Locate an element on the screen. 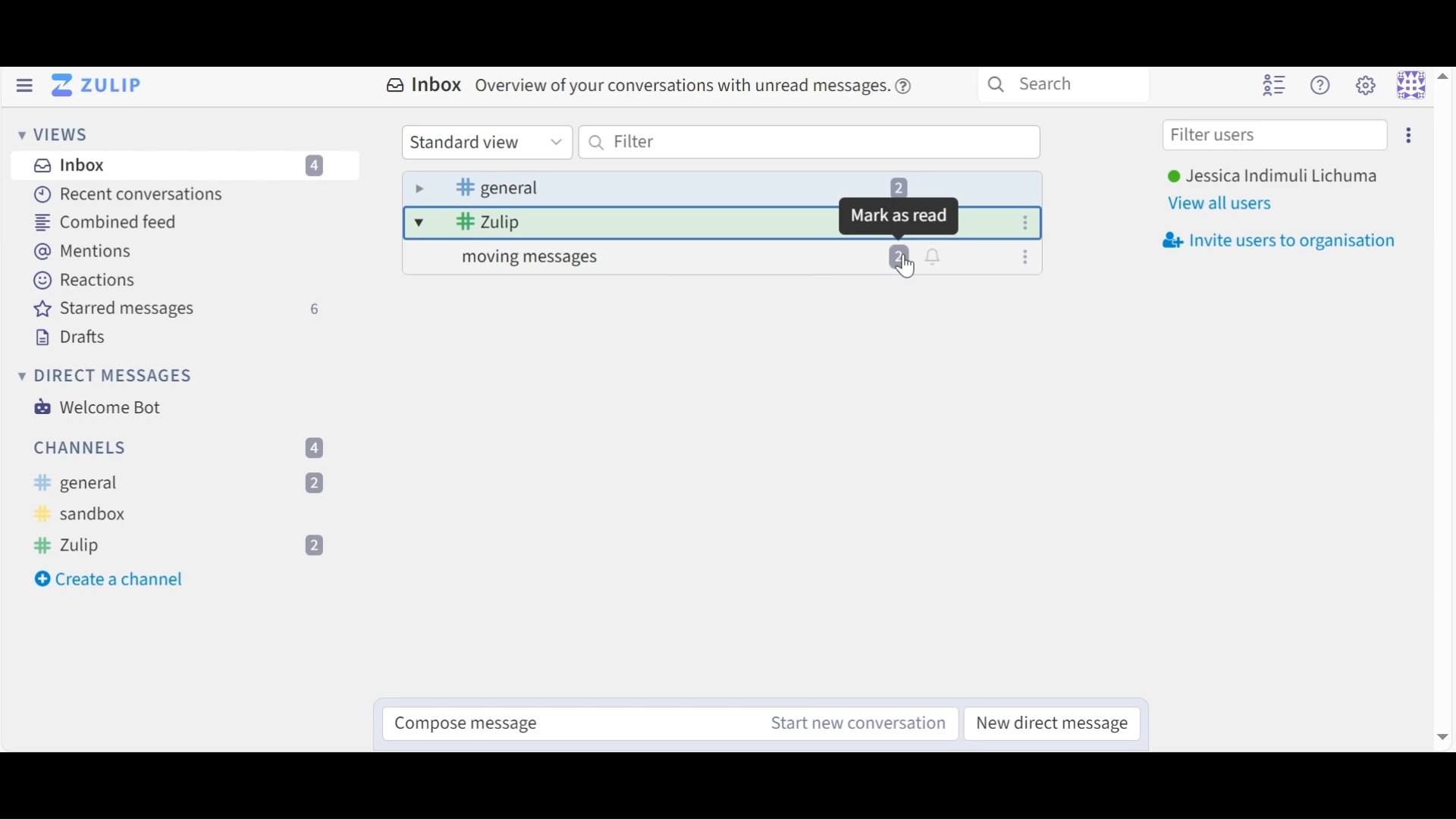 This screenshot has width=1456, height=819. Filter users is located at coordinates (1276, 135).